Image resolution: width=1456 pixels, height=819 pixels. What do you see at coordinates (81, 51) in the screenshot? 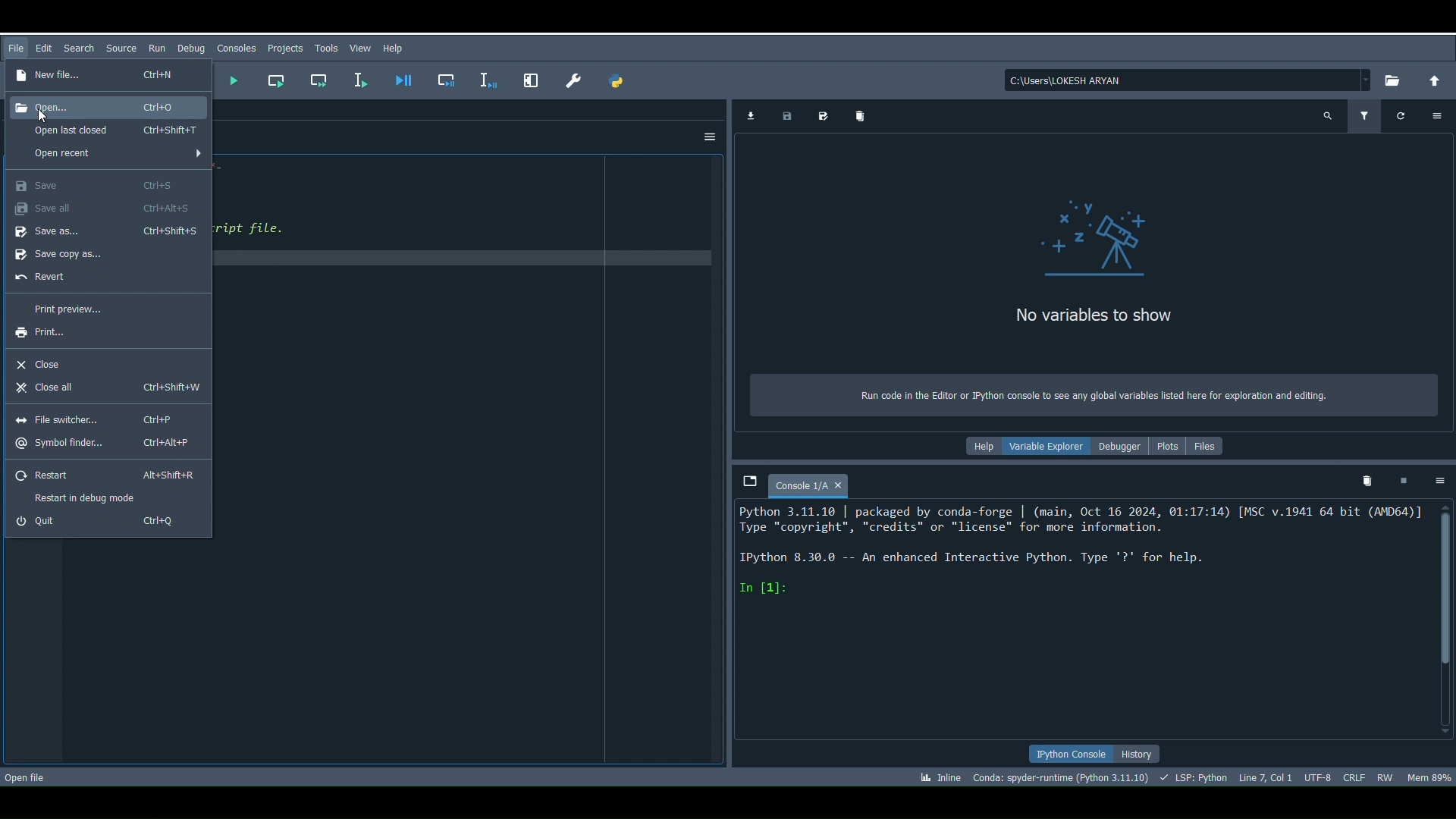
I see `Search` at bounding box center [81, 51].